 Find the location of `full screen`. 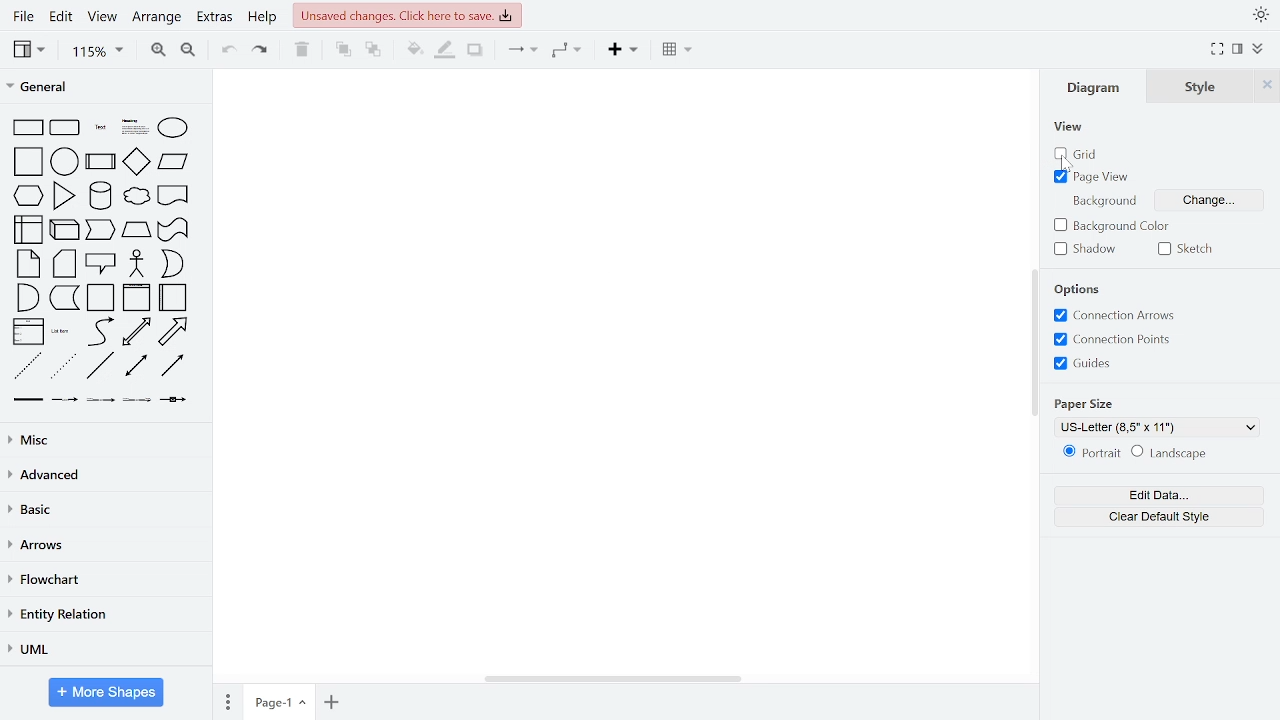

full screen is located at coordinates (1218, 49).